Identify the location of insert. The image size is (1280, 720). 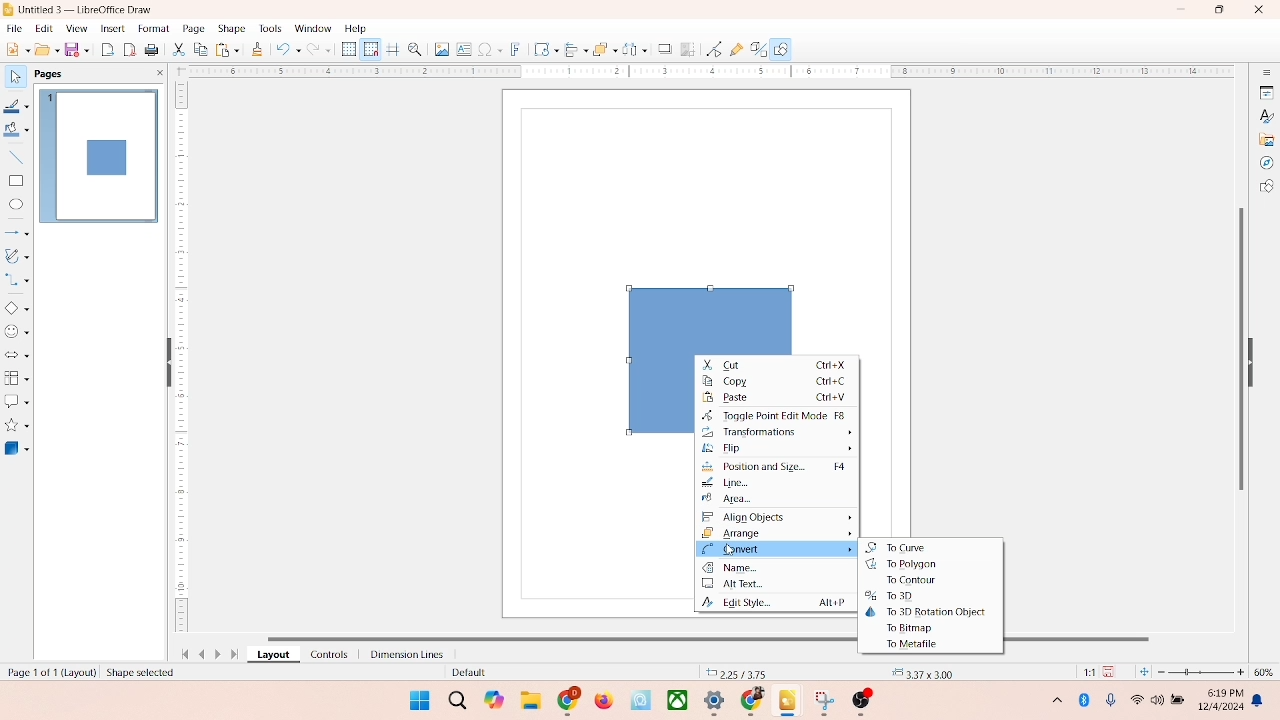
(111, 28).